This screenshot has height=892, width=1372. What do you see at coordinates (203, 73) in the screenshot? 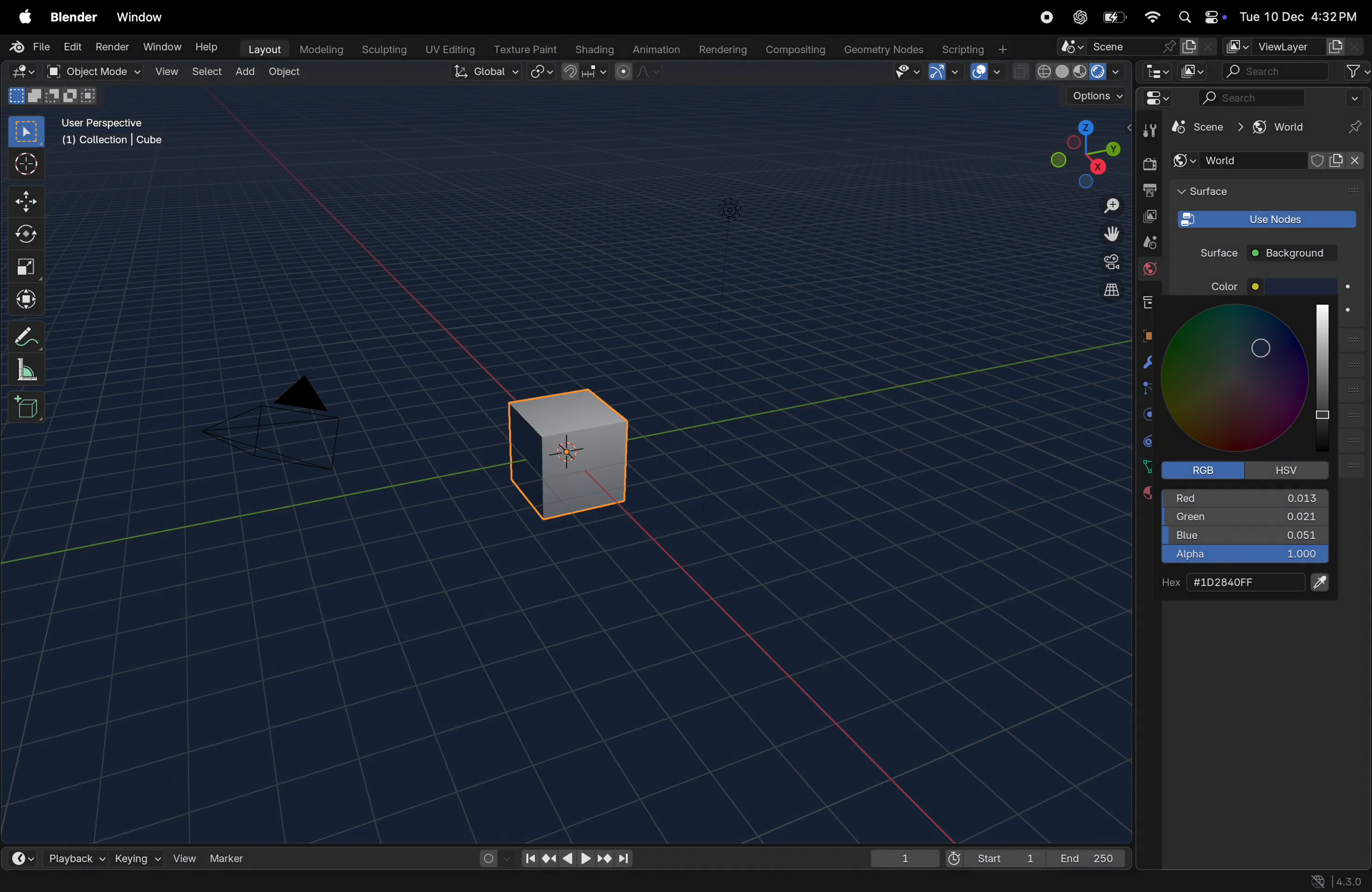
I see `select` at bounding box center [203, 73].